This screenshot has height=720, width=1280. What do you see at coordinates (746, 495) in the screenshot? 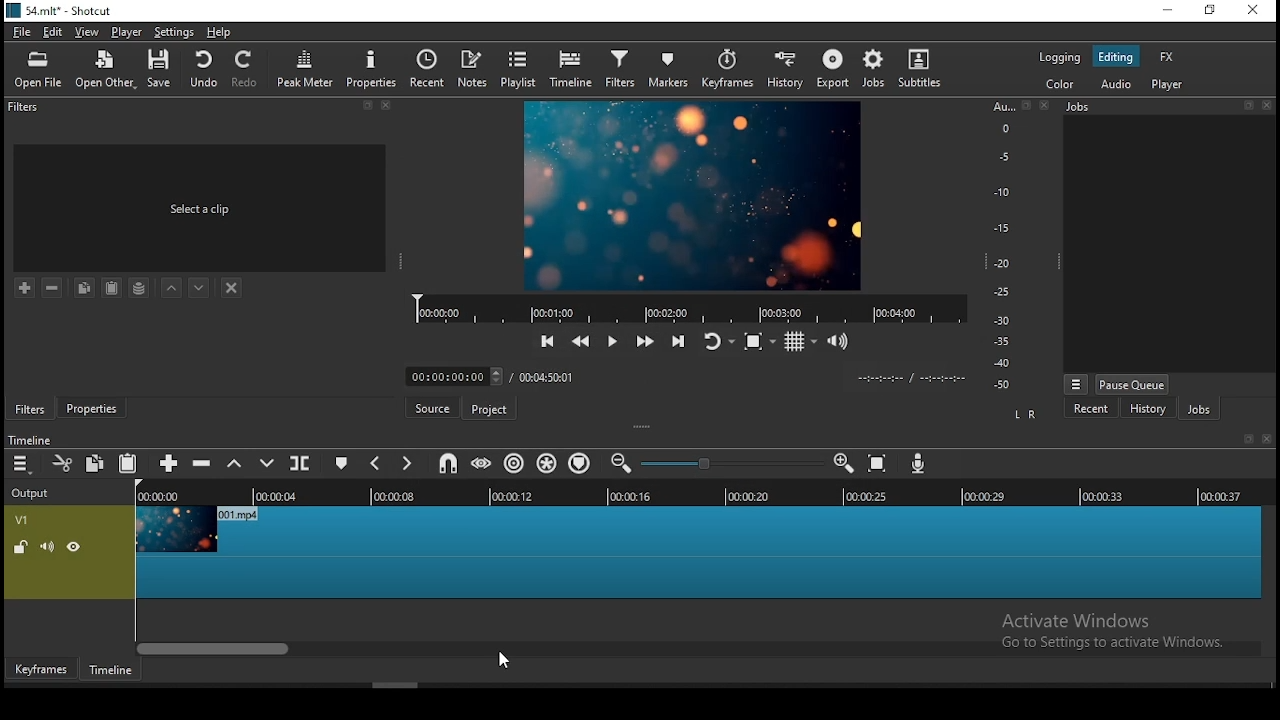
I see `00:00:20` at bounding box center [746, 495].